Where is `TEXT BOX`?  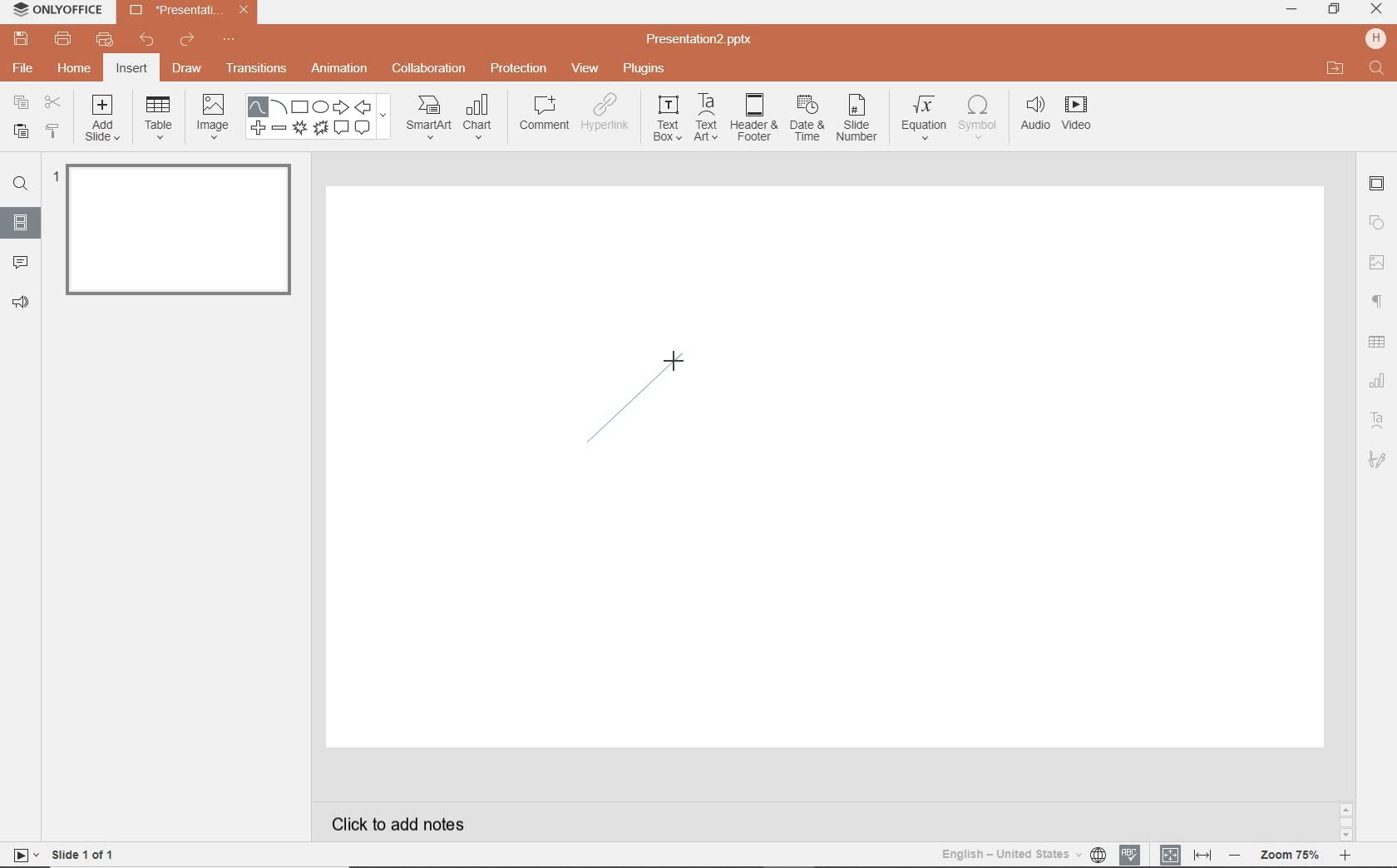 TEXT BOX is located at coordinates (665, 121).